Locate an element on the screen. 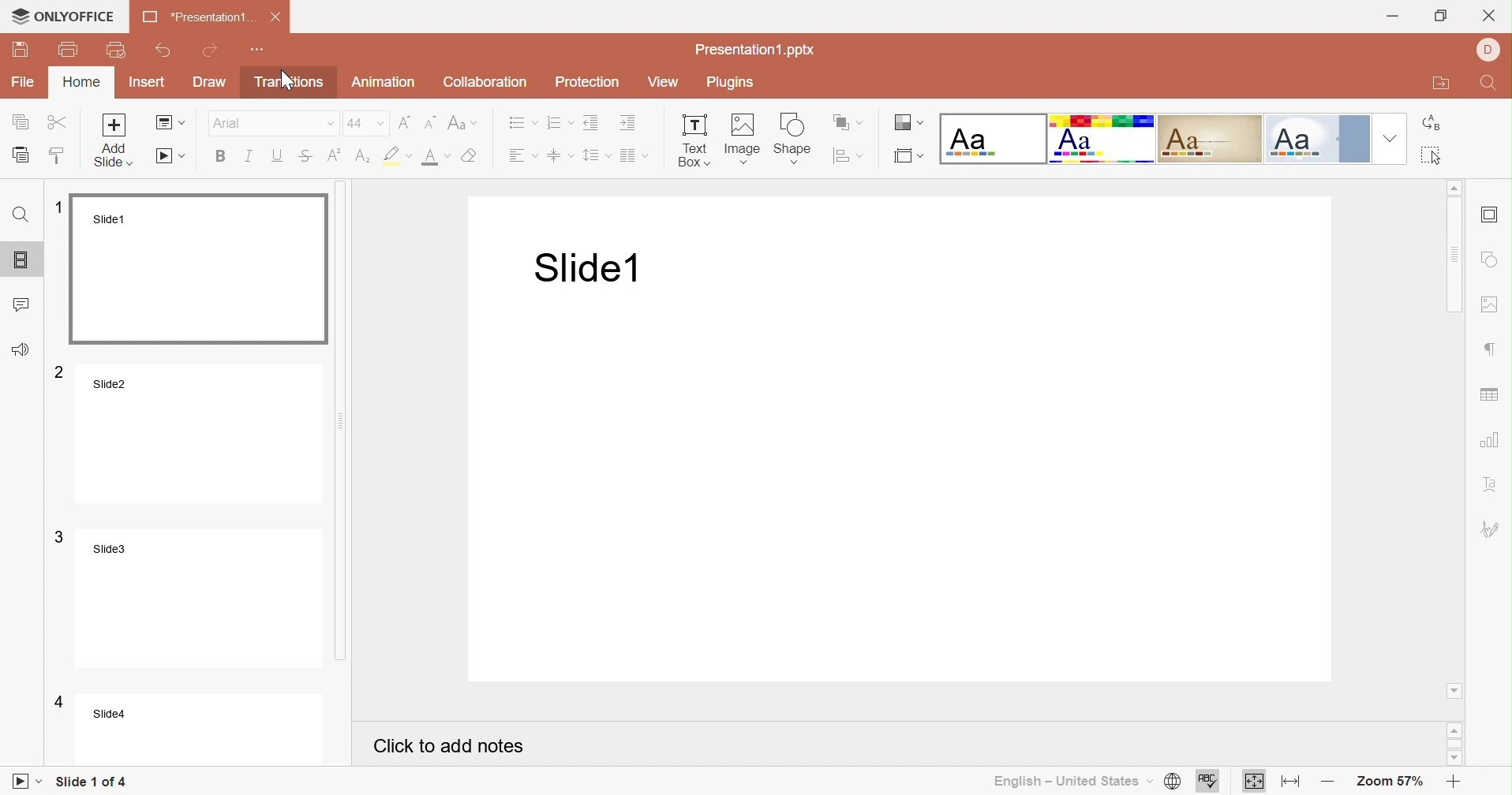  Slide 1 of 4 is located at coordinates (93, 781).